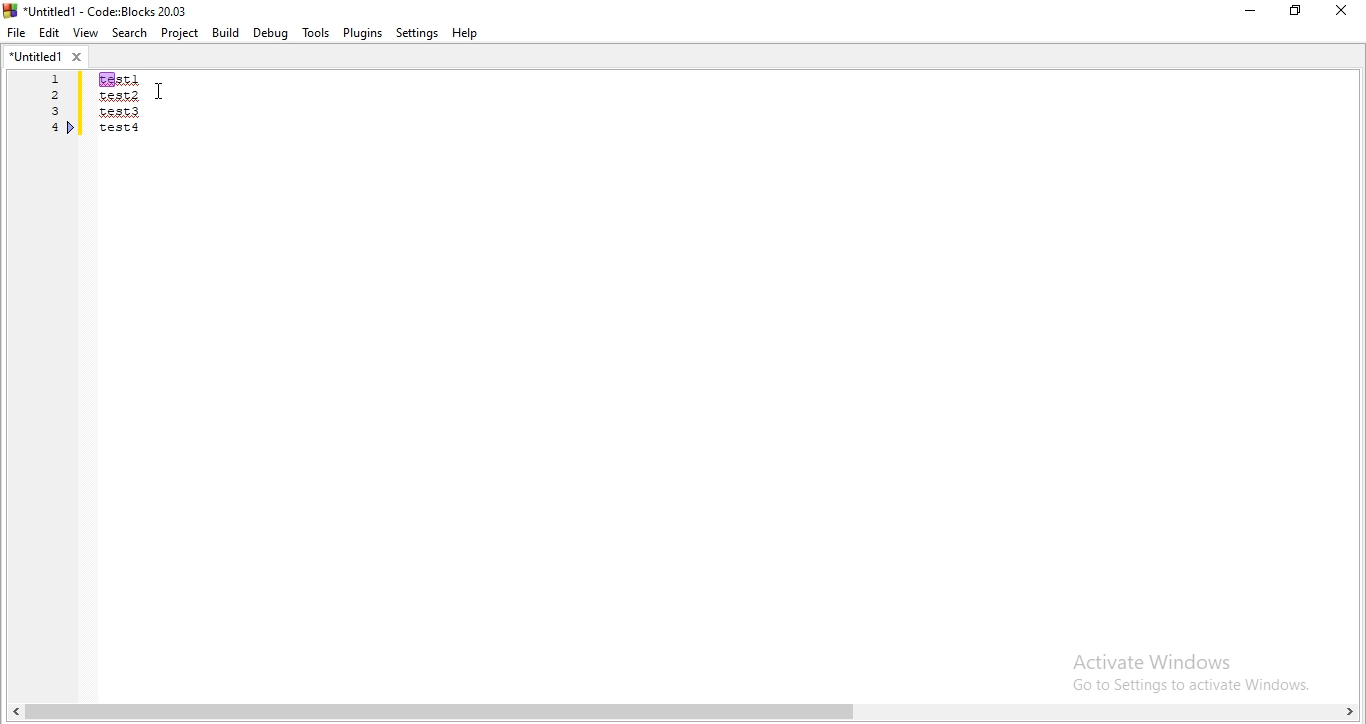  Describe the element at coordinates (52, 107) in the screenshot. I see `Serial number 1, 2,3,4` at that location.